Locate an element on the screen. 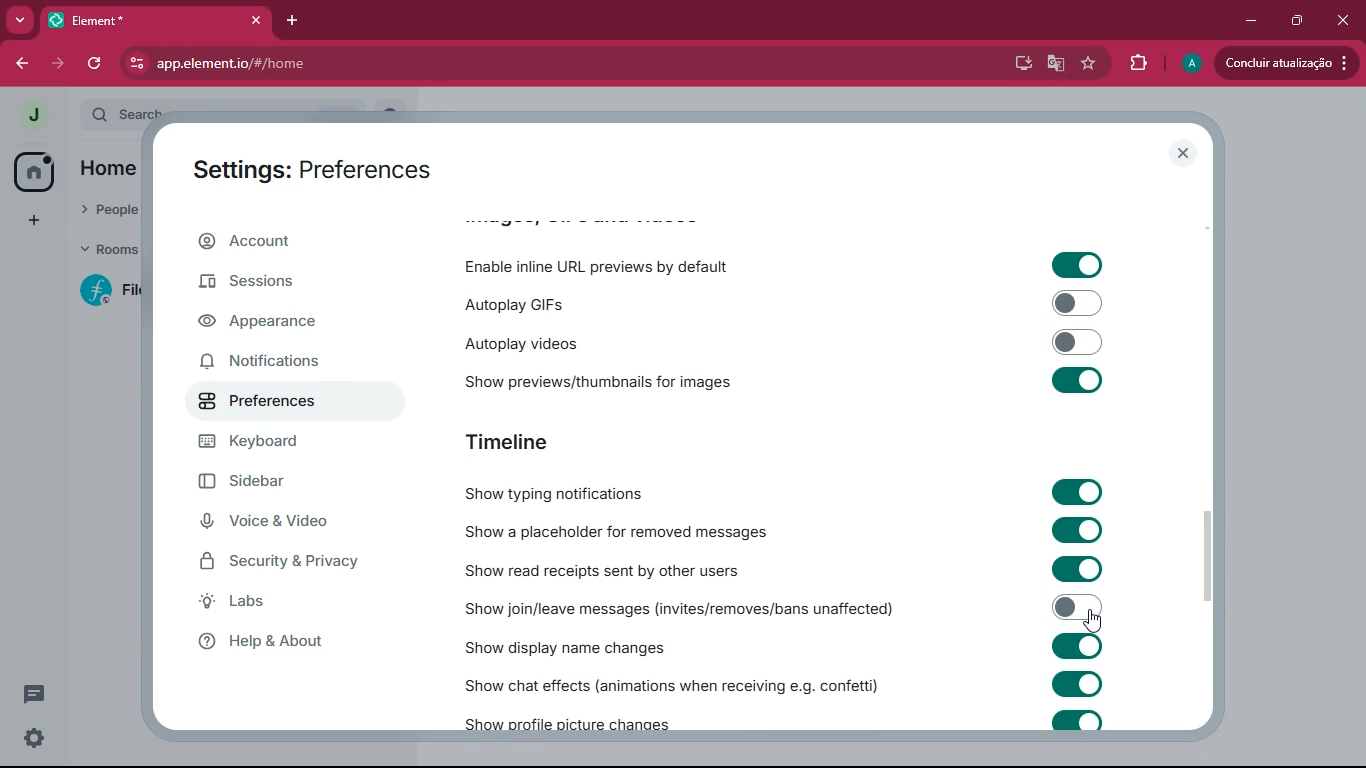 The height and width of the screenshot is (768, 1366). add tab is located at coordinates (292, 21).